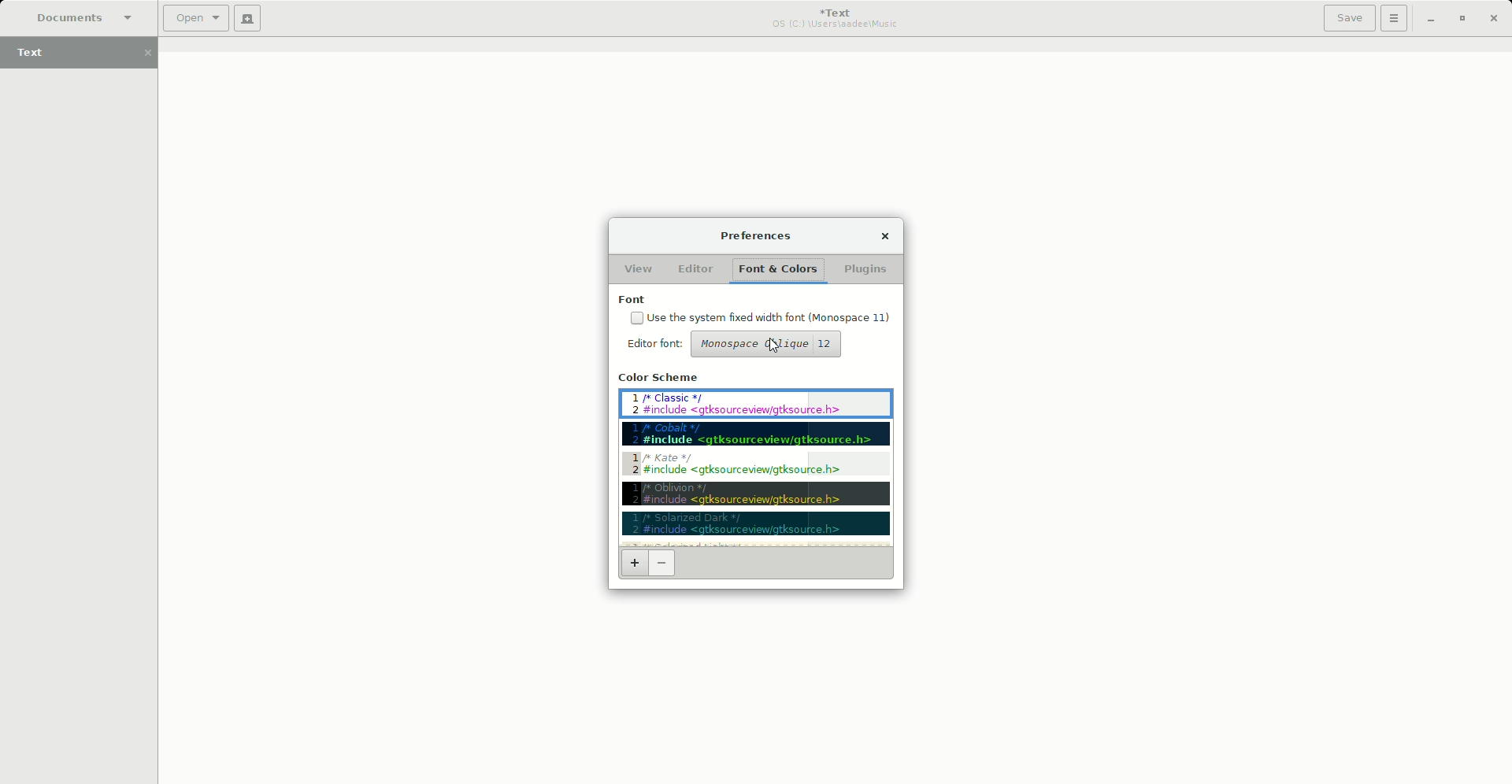 The width and height of the screenshot is (1512, 784). What do you see at coordinates (1430, 18) in the screenshot?
I see `Minimize` at bounding box center [1430, 18].